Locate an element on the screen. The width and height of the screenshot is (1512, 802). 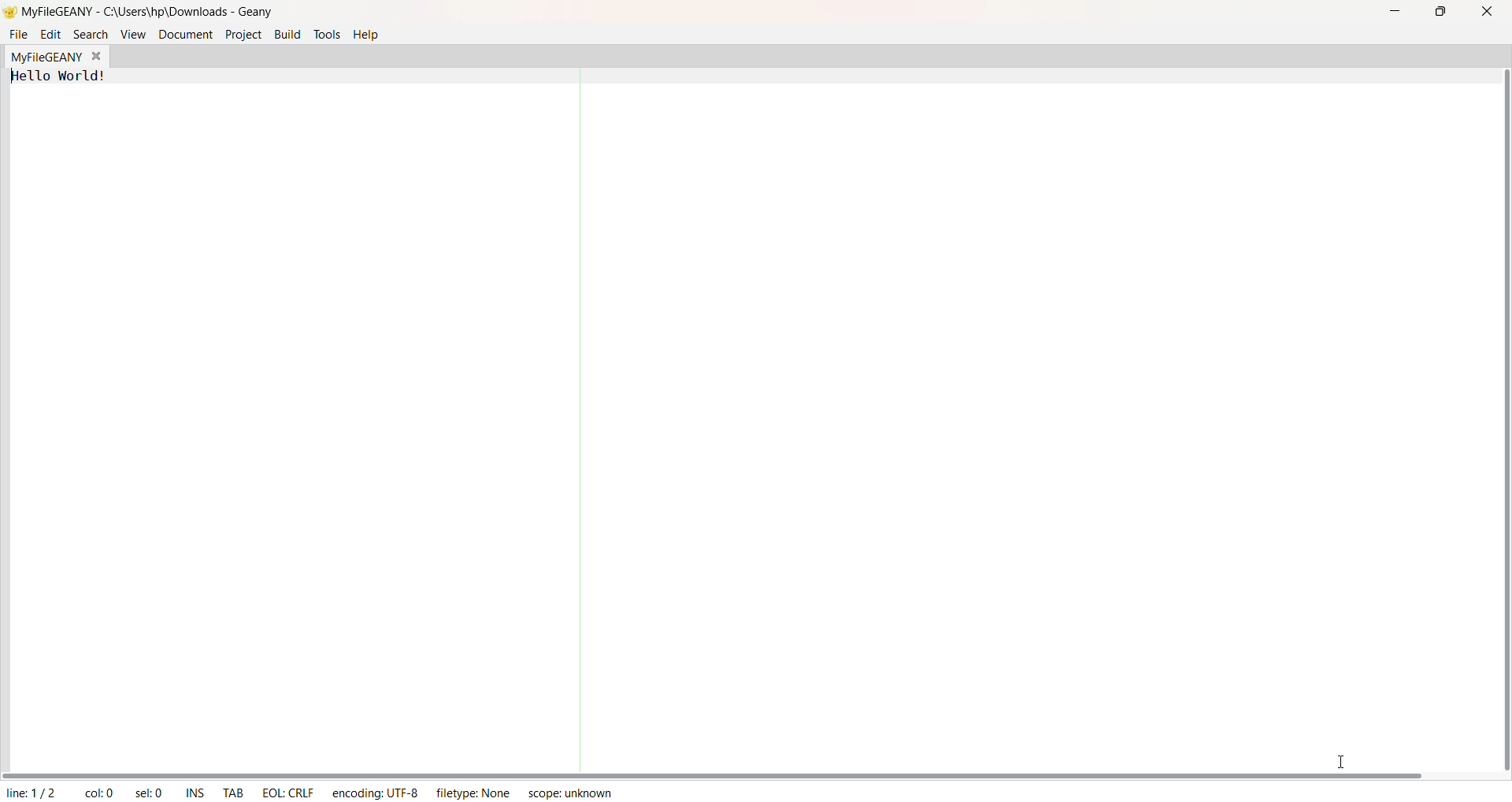
sel: 0 is located at coordinates (148, 792).